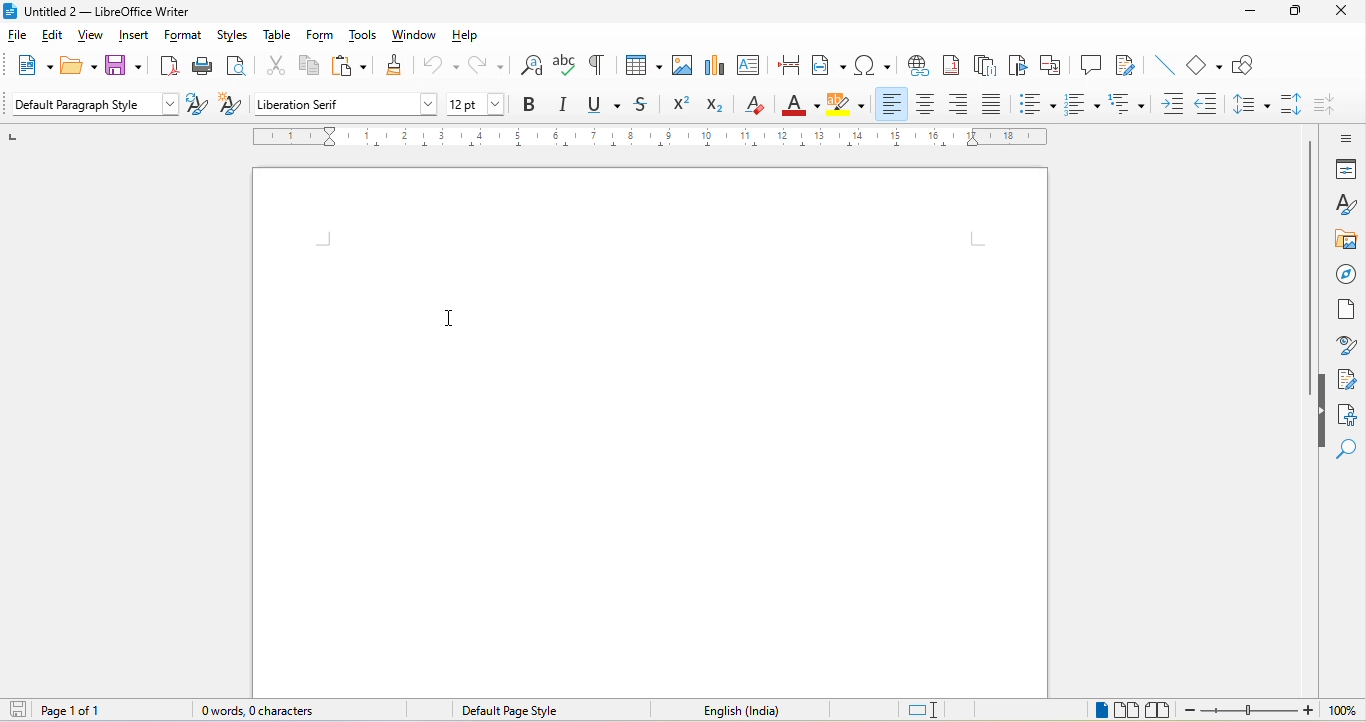 The height and width of the screenshot is (722, 1366). Describe the element at coordinates (1210, 104) in the screenshot. I see `decrease indent` at that location.